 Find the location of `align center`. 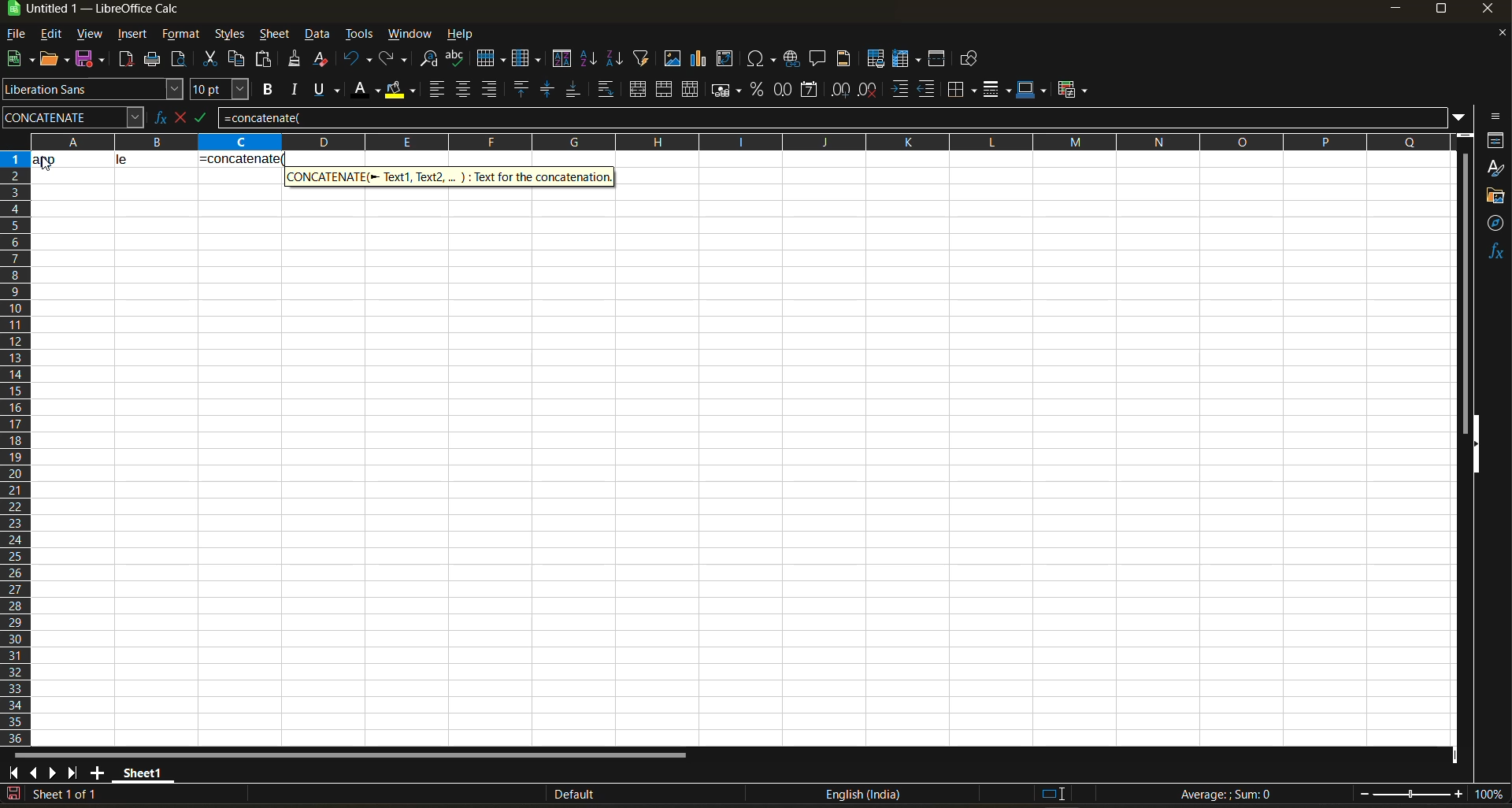

align center is located at coordinates (463, 89).